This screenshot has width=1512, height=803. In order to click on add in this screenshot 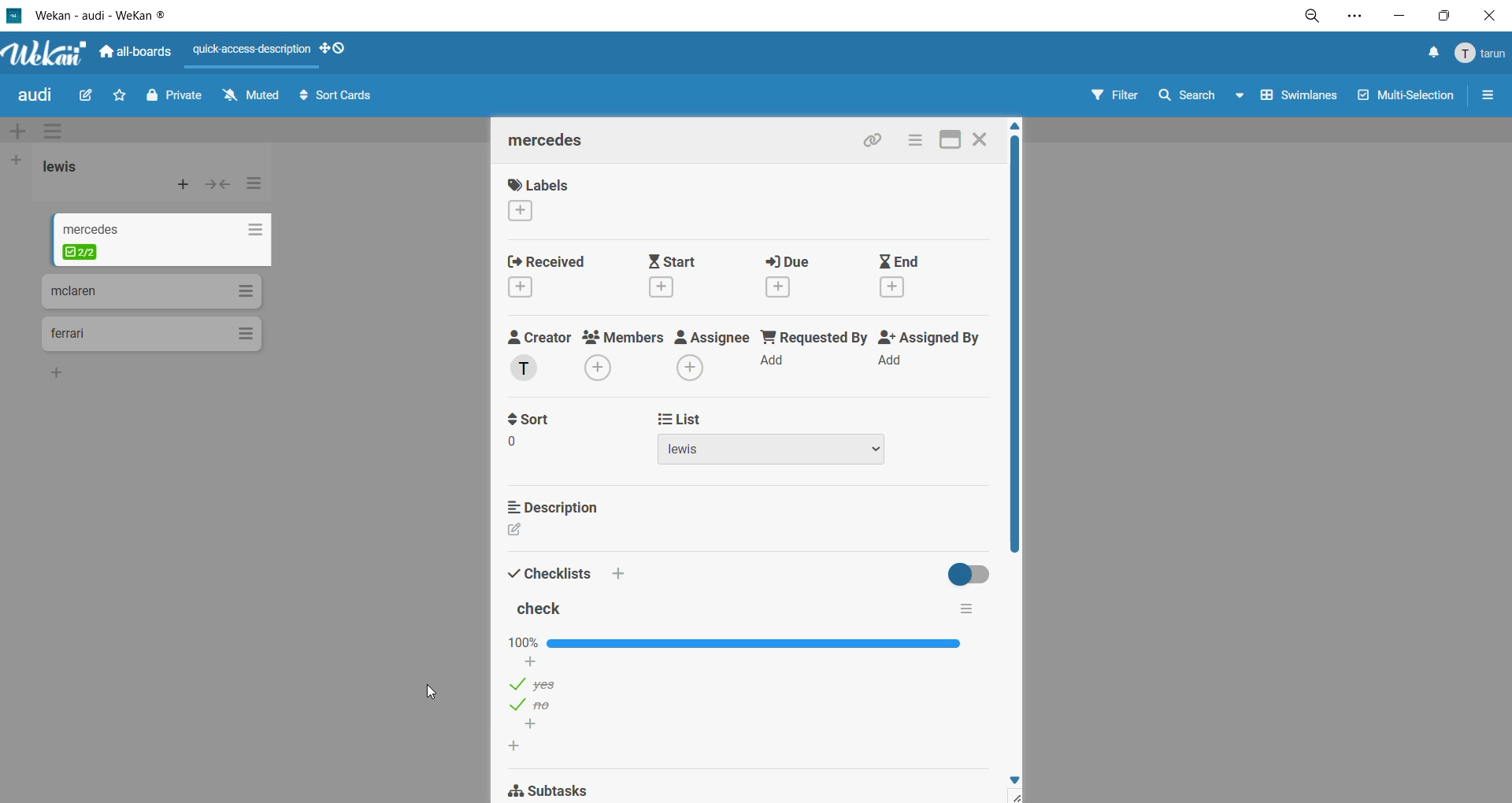, I will do `click(56, 372)`.